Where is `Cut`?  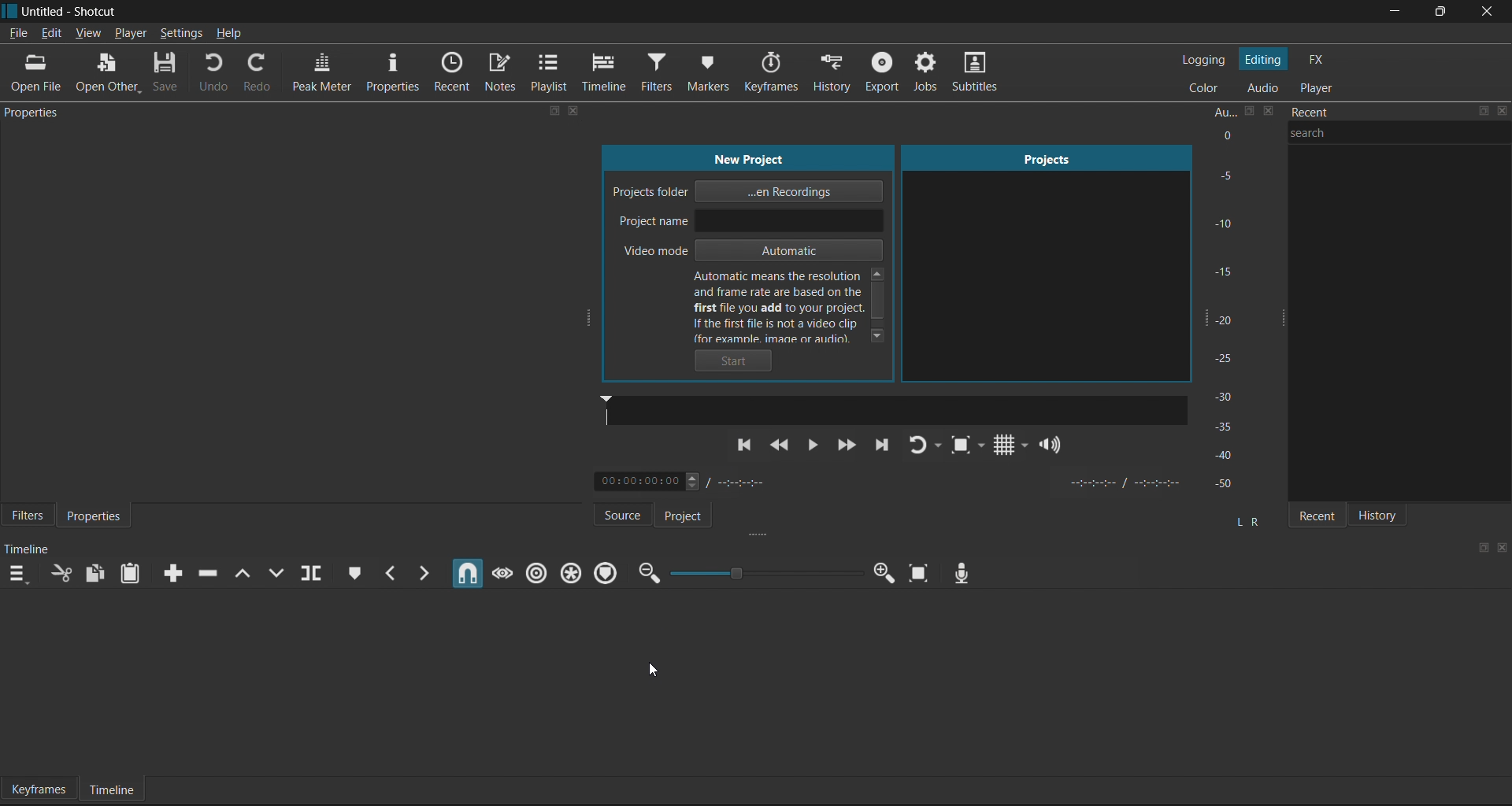
Cut is located at coordinates (55, 577).